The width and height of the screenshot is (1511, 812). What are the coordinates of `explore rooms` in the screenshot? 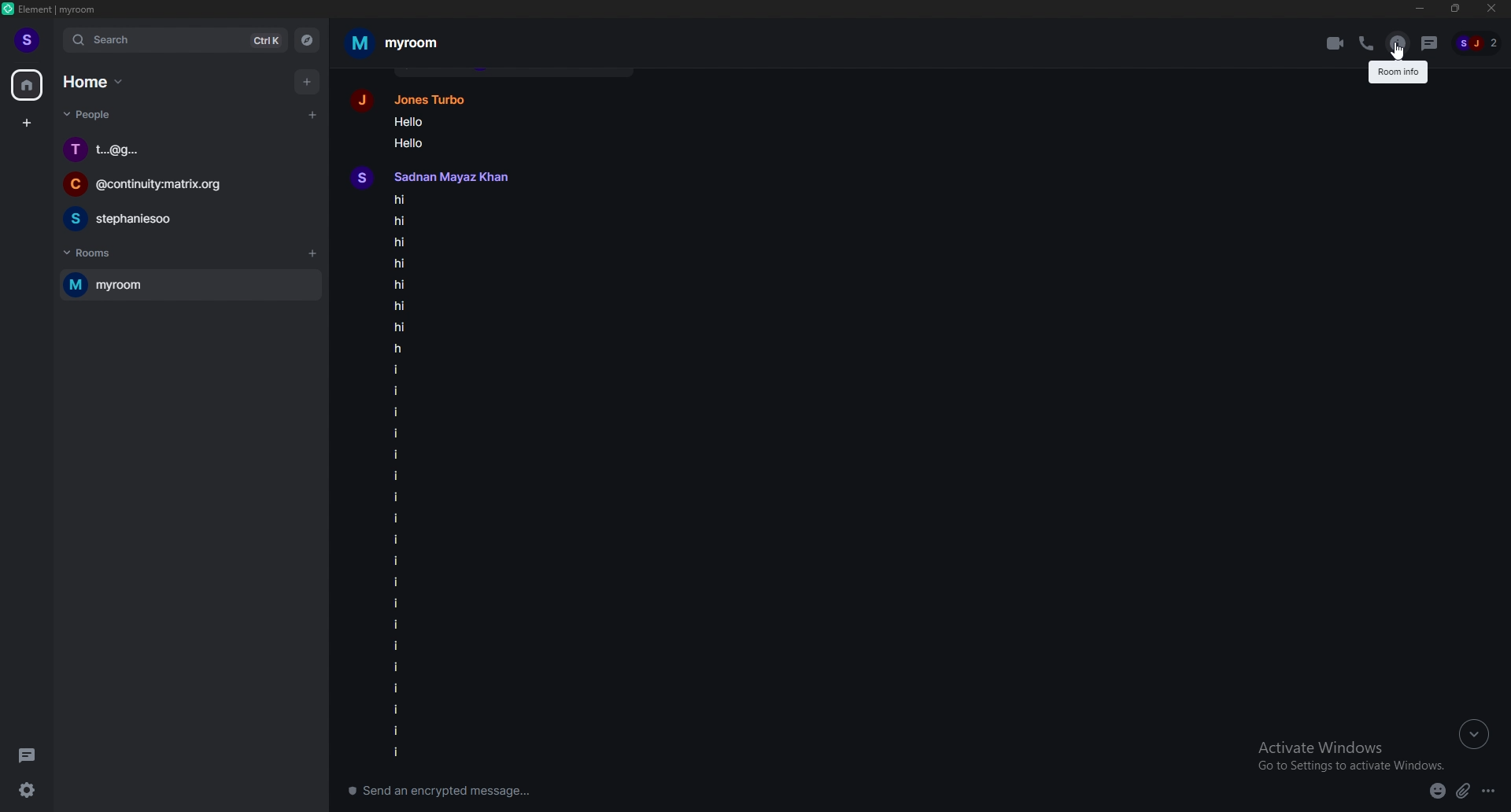 It's located at (308, 41).